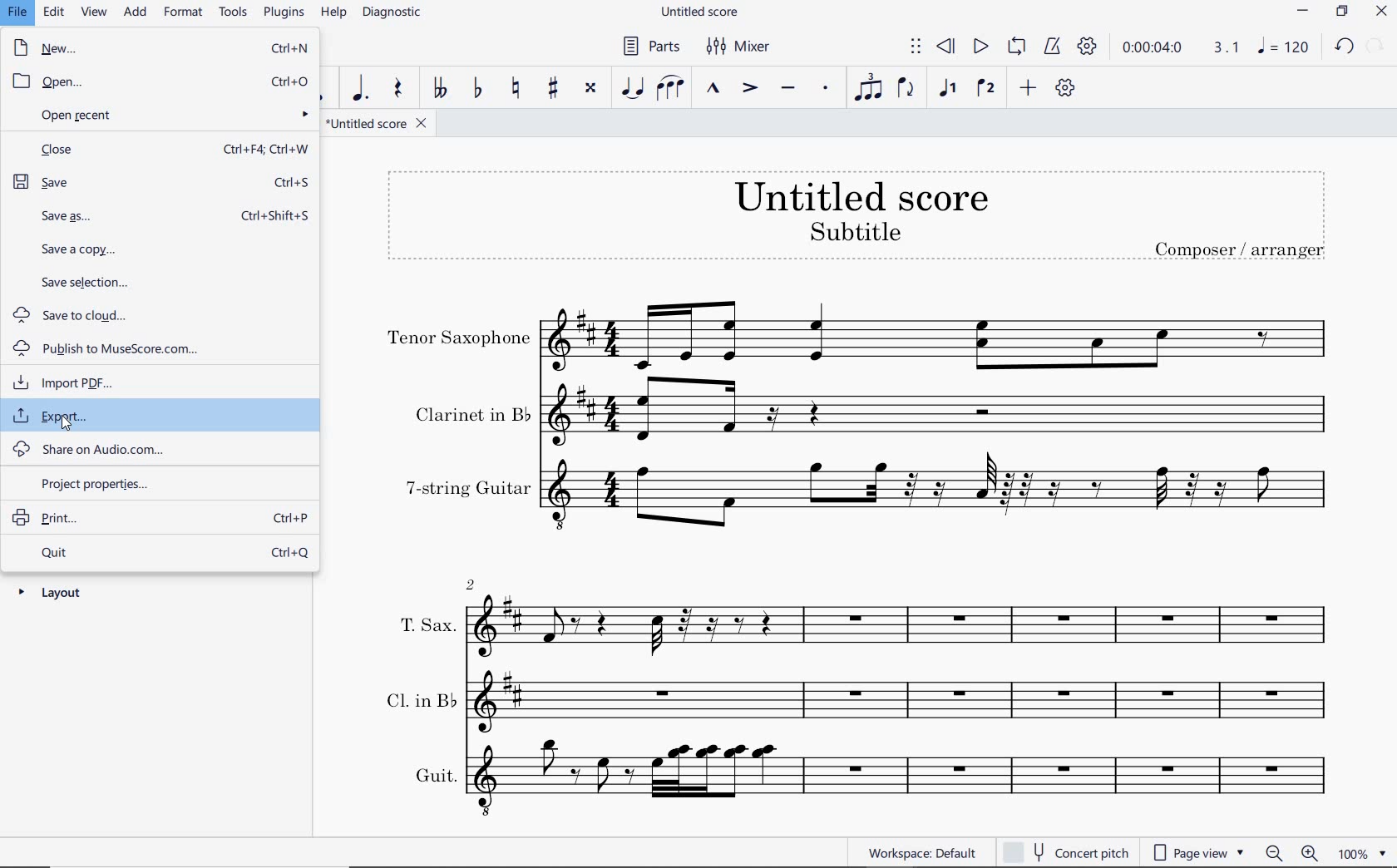 The image size is (1397, 868). What do you see at coordinates (749, 86) in the screenshot?
I see `ACCENT` at bounding box center [749, 86].